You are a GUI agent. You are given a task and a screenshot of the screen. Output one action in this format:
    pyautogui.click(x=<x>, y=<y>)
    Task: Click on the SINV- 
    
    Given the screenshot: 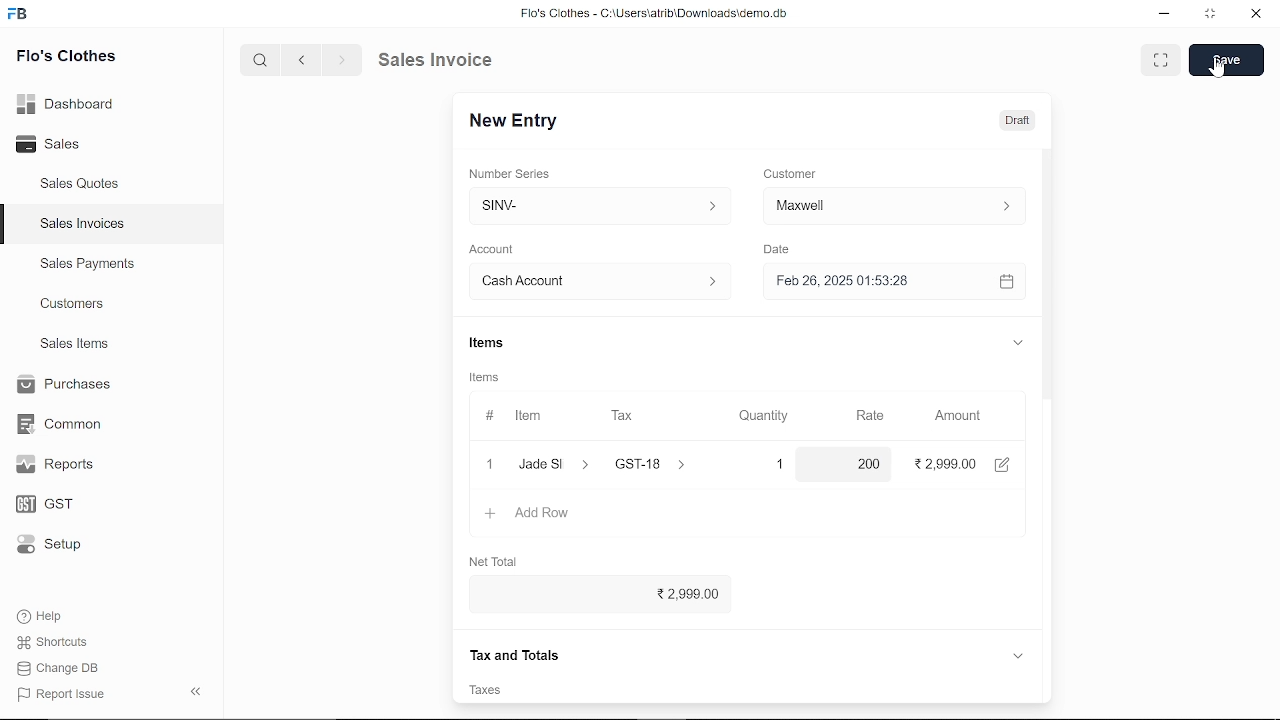 What is the action you would take?
    pyautogui.click(x=595, y=206)
    